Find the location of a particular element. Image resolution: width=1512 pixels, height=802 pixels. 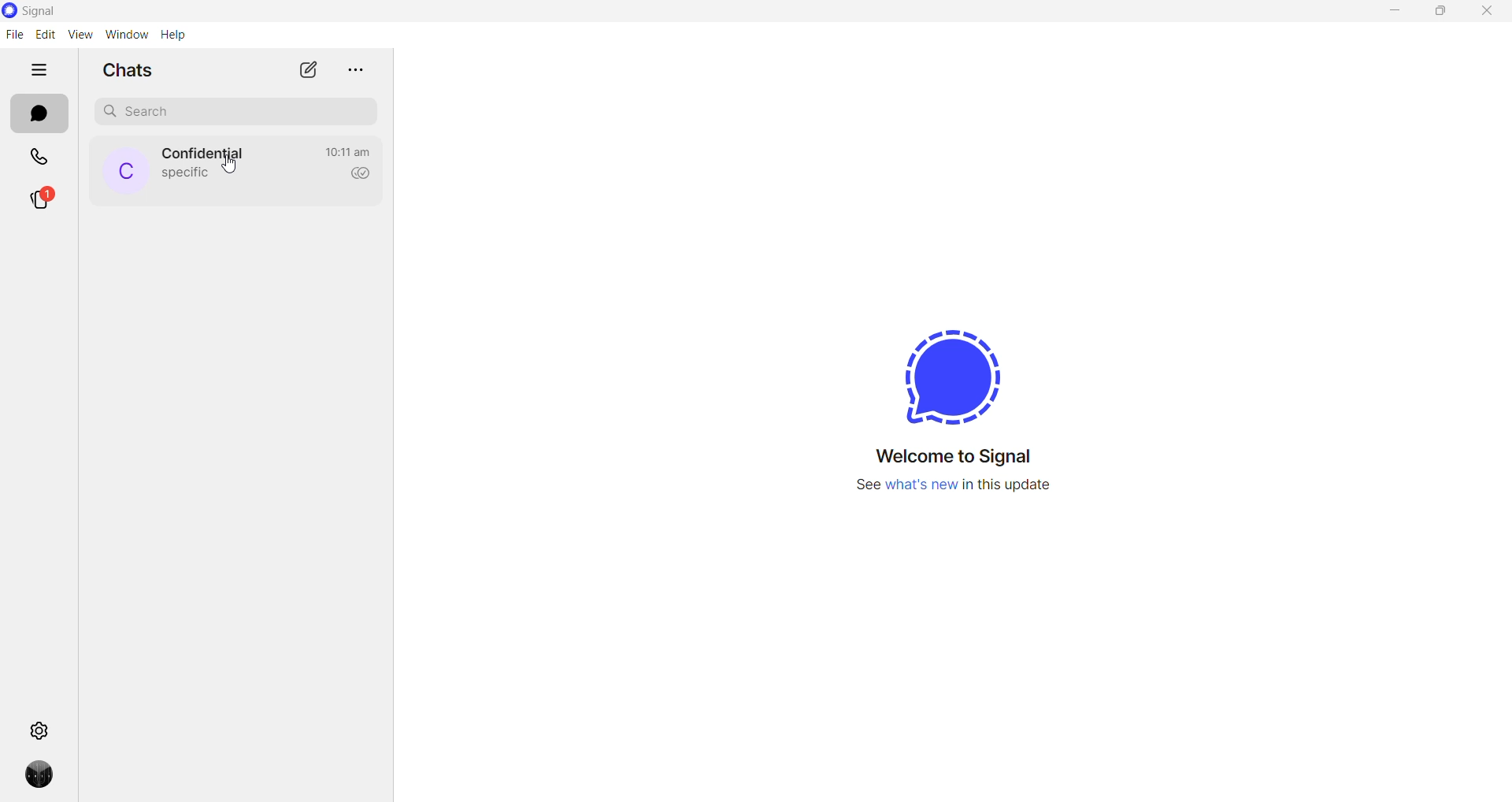

new chat is located at coordinates (309, 70).